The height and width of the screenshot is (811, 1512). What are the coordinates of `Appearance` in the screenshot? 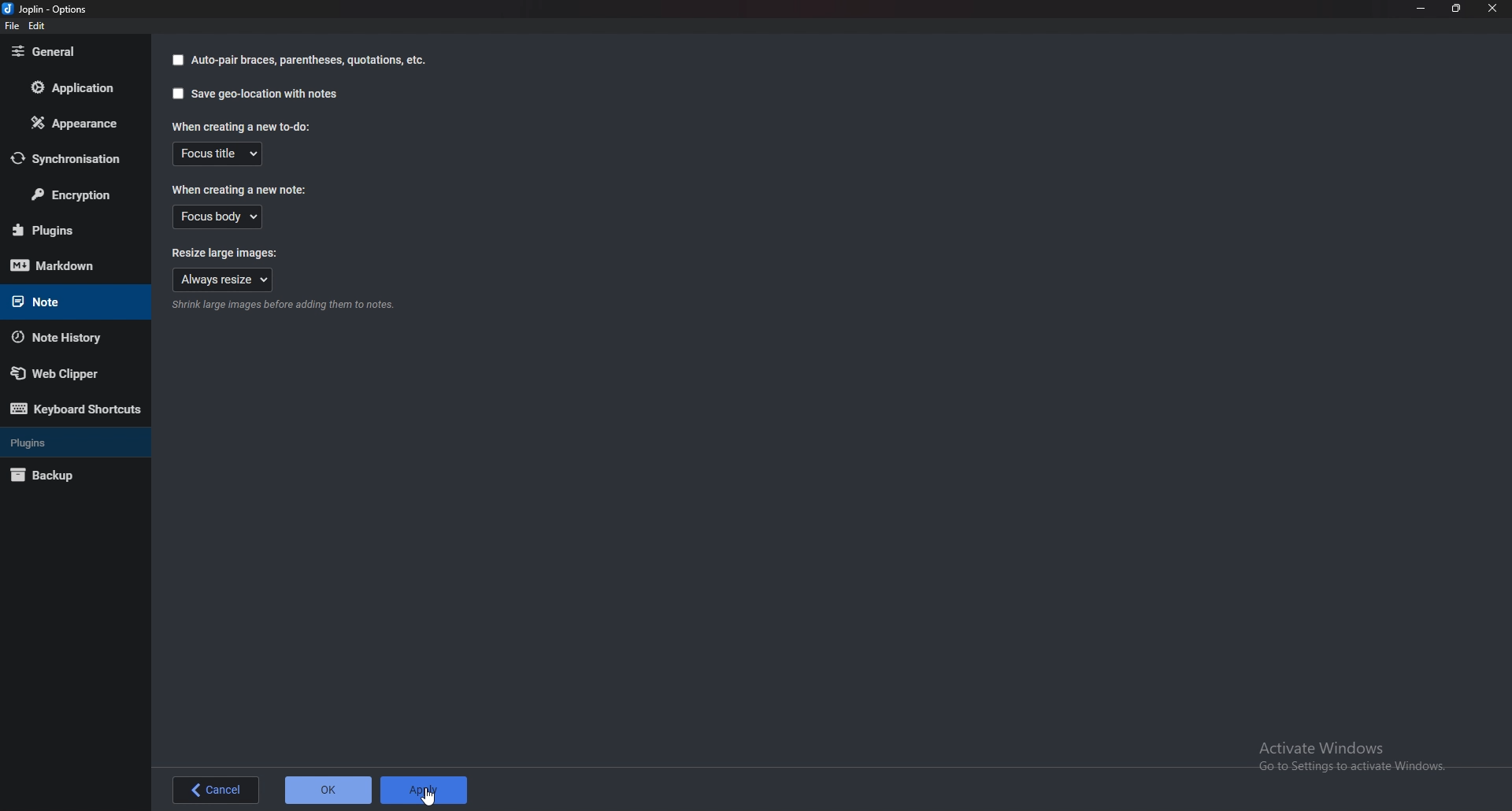 It's located at (70, 123).